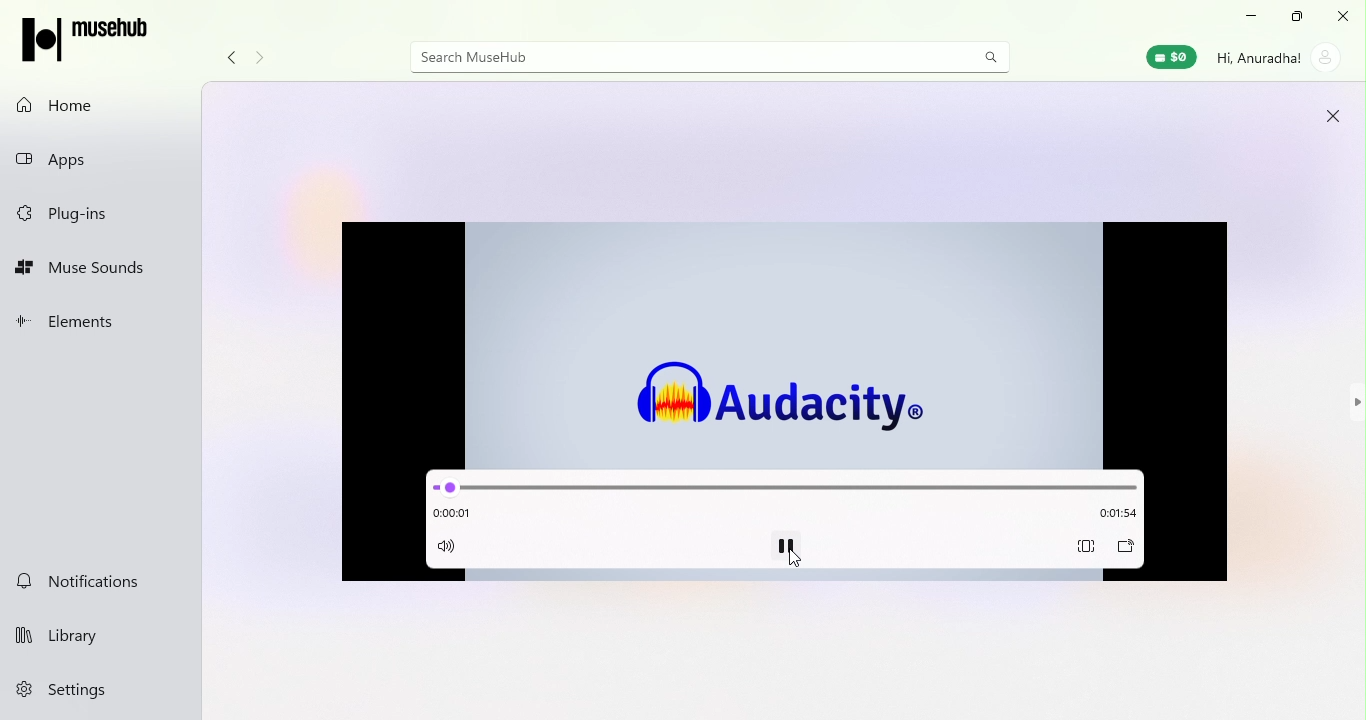  I want to click on Apps, so click(105, 160).